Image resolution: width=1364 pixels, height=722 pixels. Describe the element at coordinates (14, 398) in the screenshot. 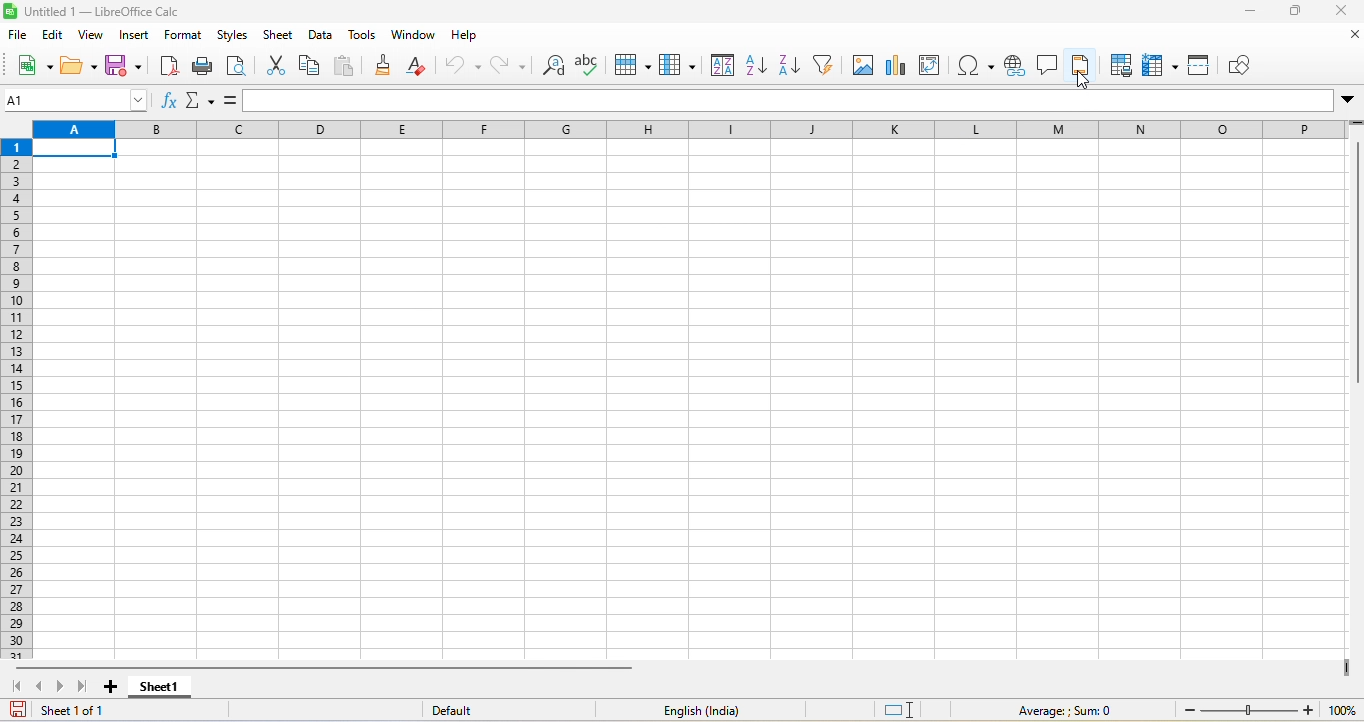

I see `rows` at that location.